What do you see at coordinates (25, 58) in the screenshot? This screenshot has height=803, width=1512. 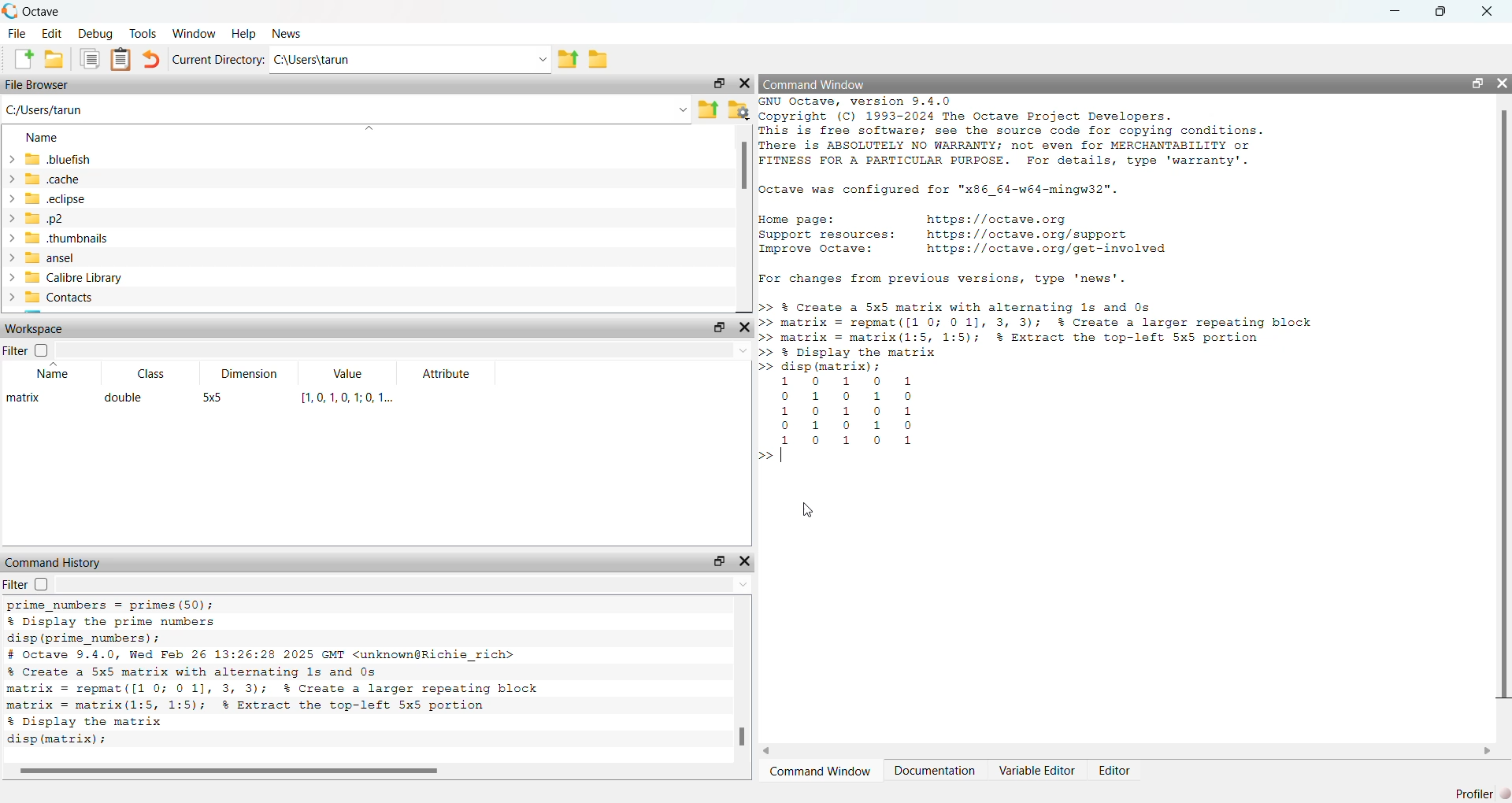 I see `add file` at bounding box center [25, 58].